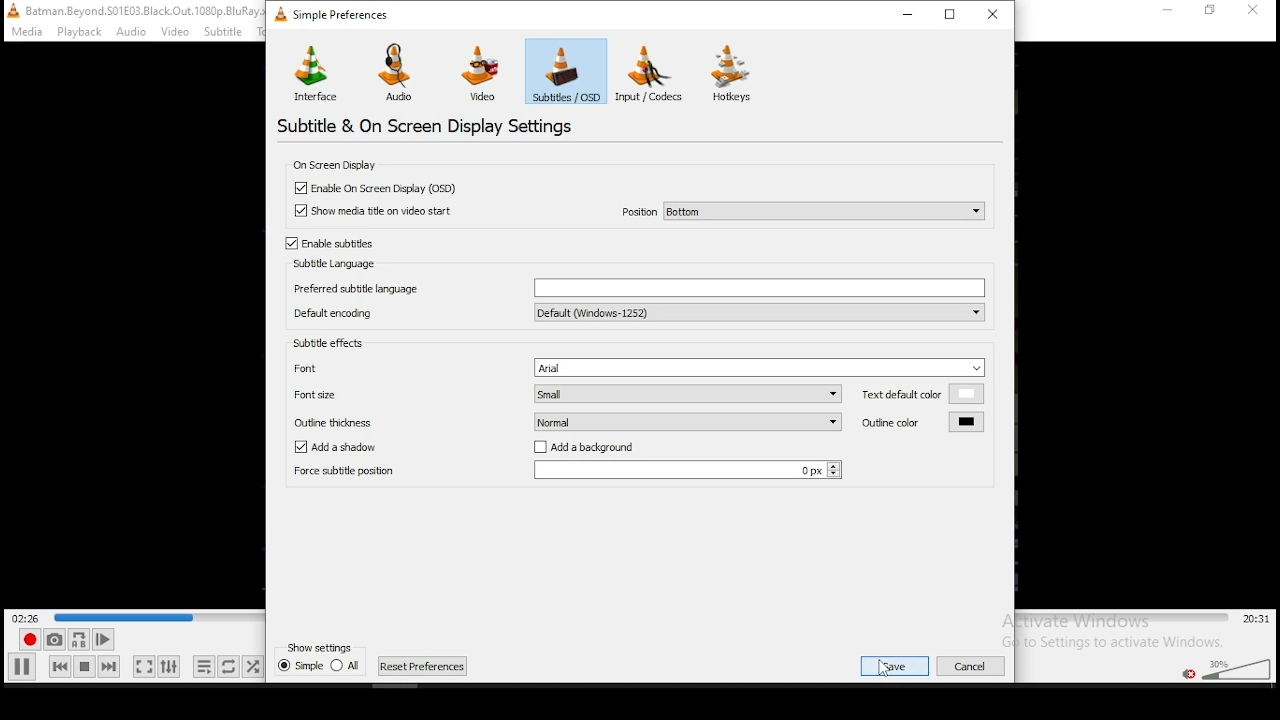 This screenshot has height=720, width=1280. What do you see at coordinates (690, 433) in the screenshot?
I see `small` at bounding box center [690, 433].